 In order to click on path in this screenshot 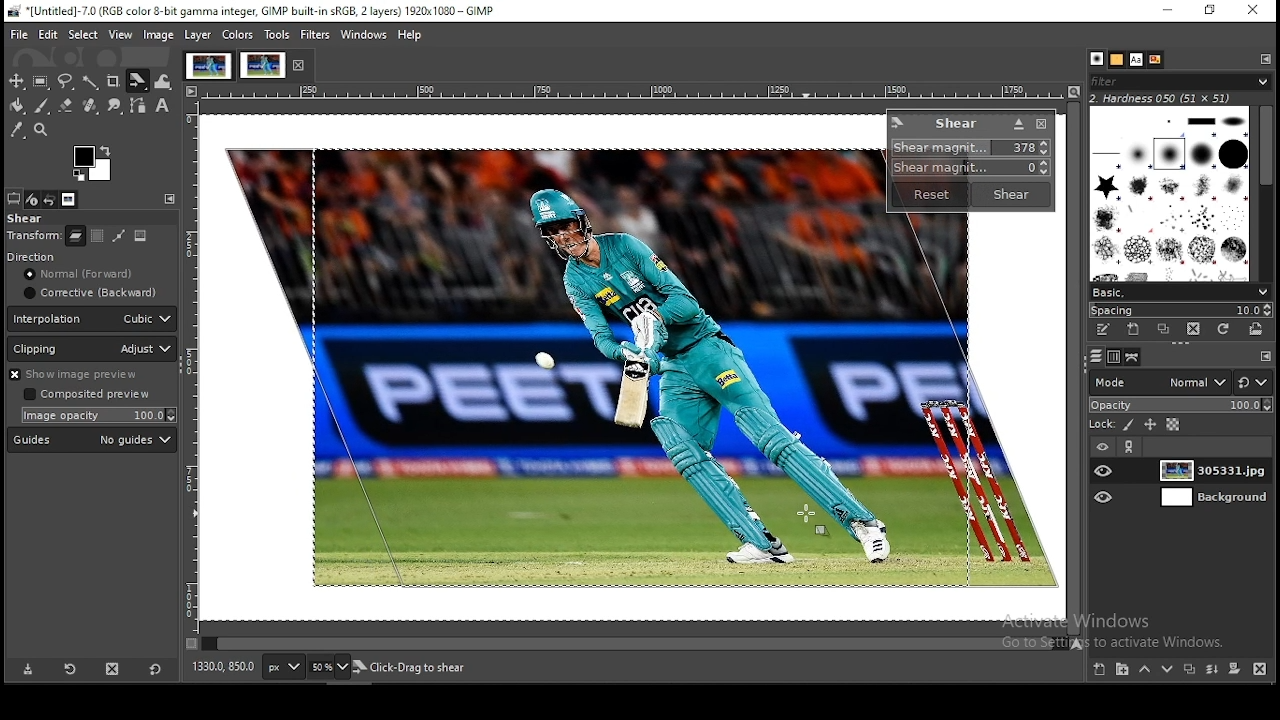, I will do `click(117, 236)`.